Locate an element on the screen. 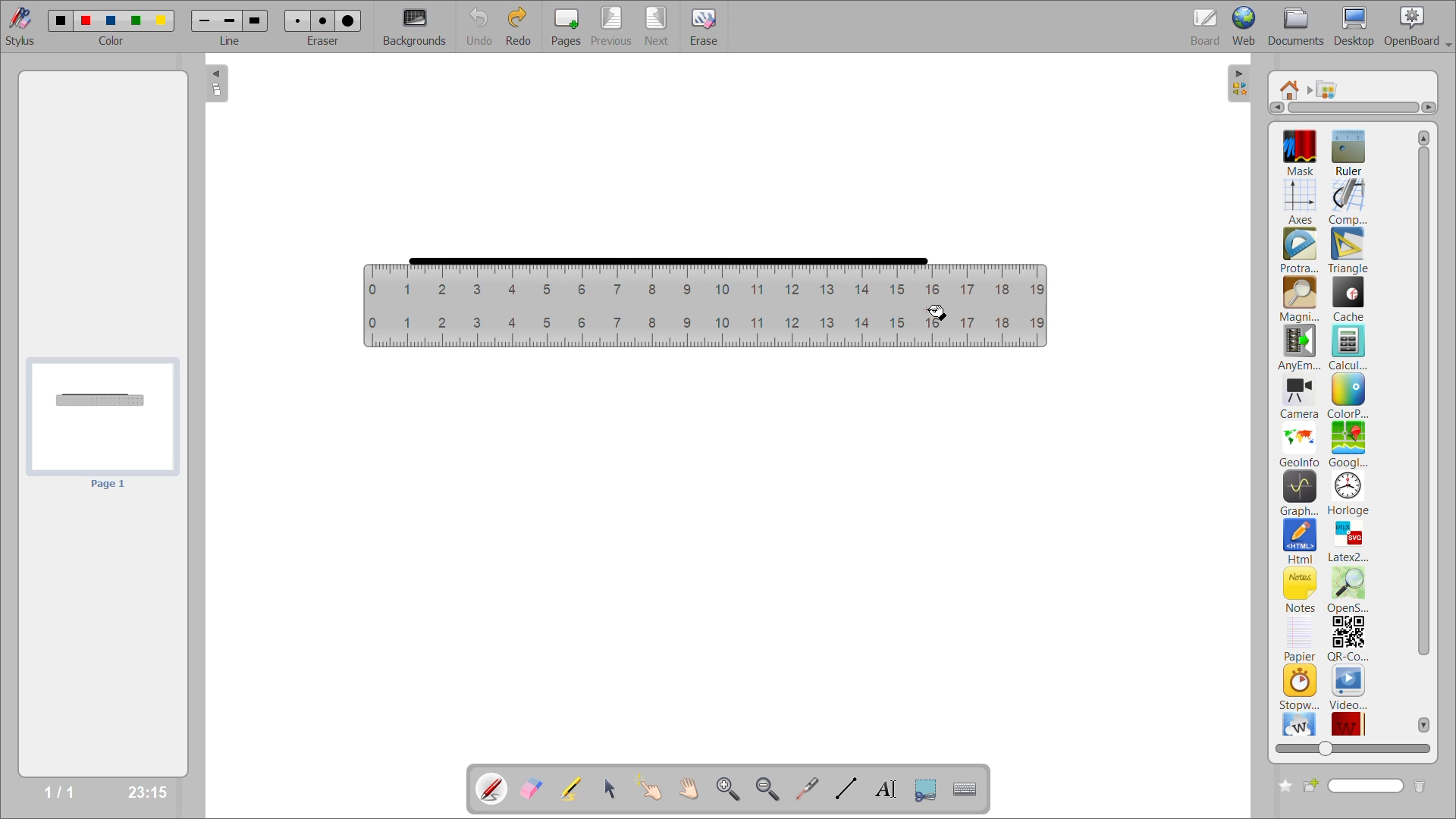  page preview is located at coordinates (100, 425).